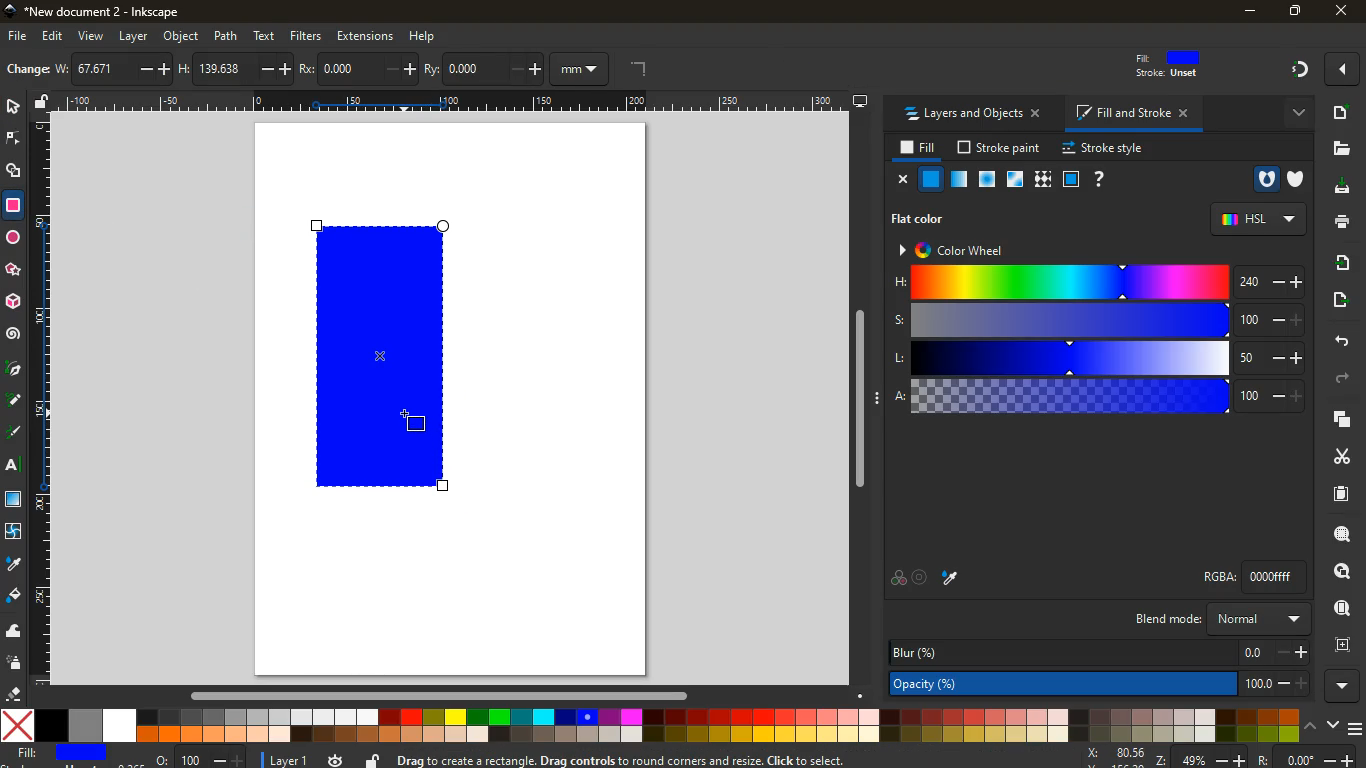 The width and height of the screenshot is (1366, 768). I want to click on maximize, so click(1293, 10).